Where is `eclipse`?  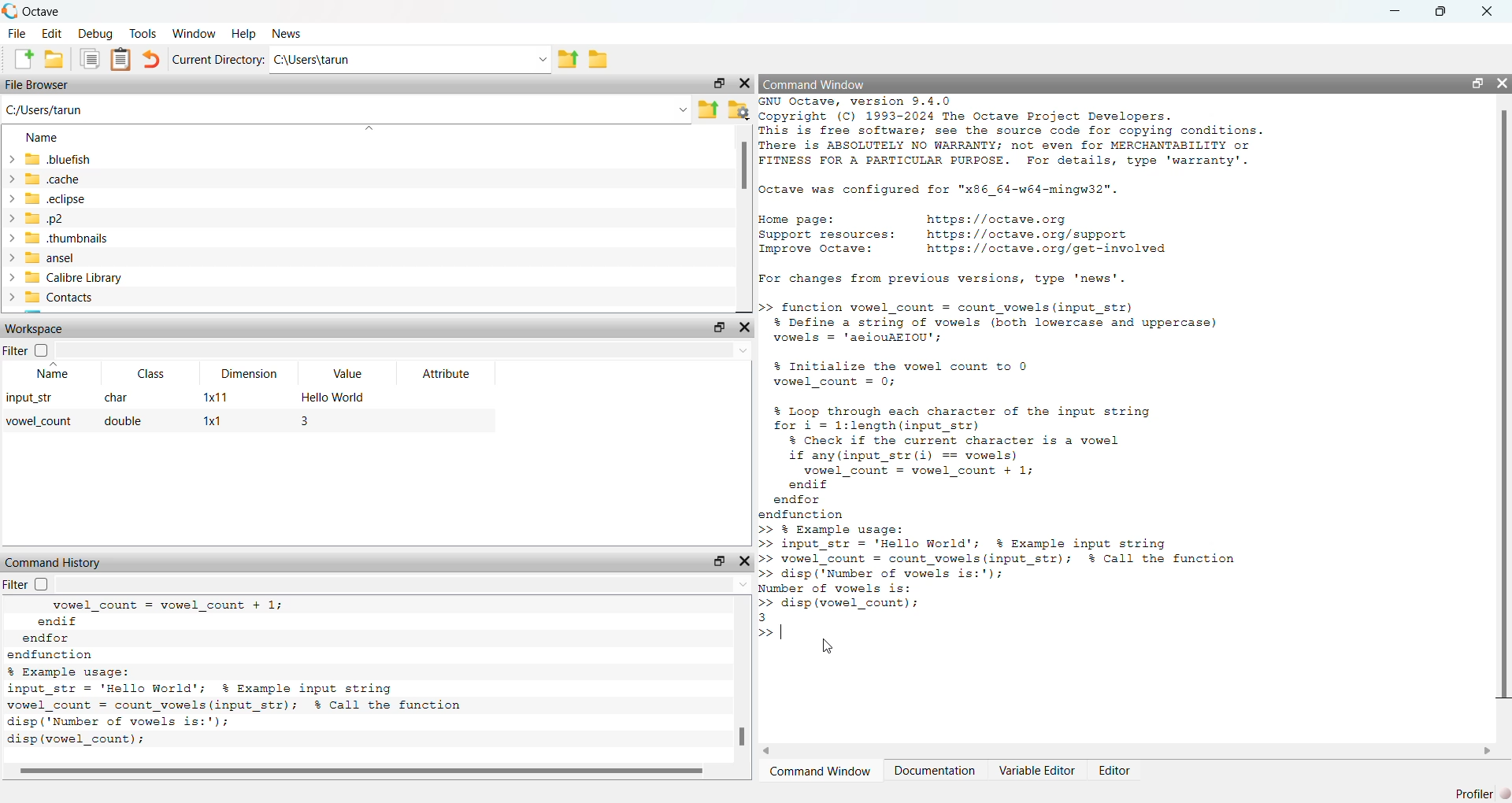 eclipse is located at coordinates (57, 198).